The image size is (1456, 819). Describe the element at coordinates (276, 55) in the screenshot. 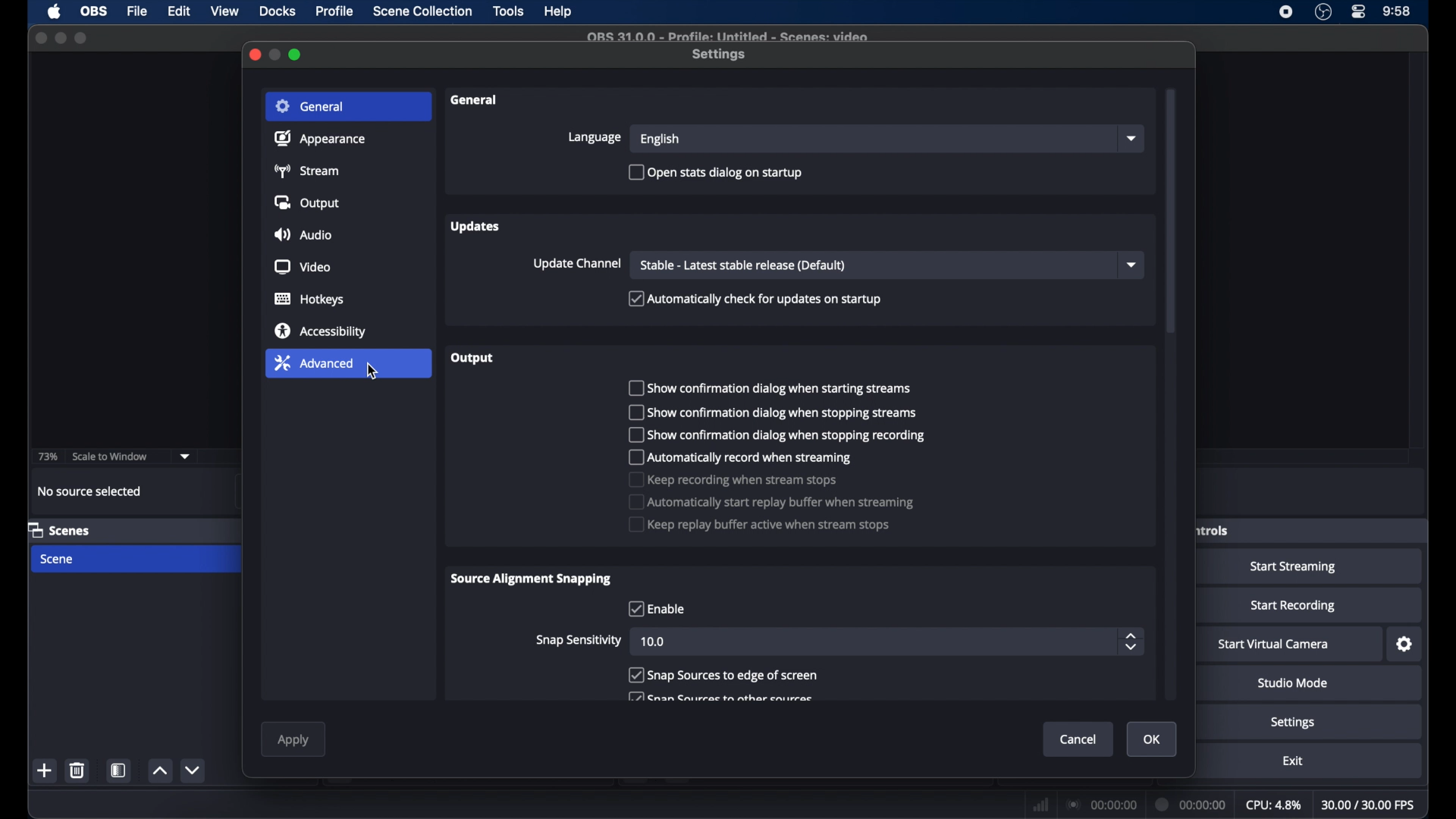

I see `minimize` at that location.